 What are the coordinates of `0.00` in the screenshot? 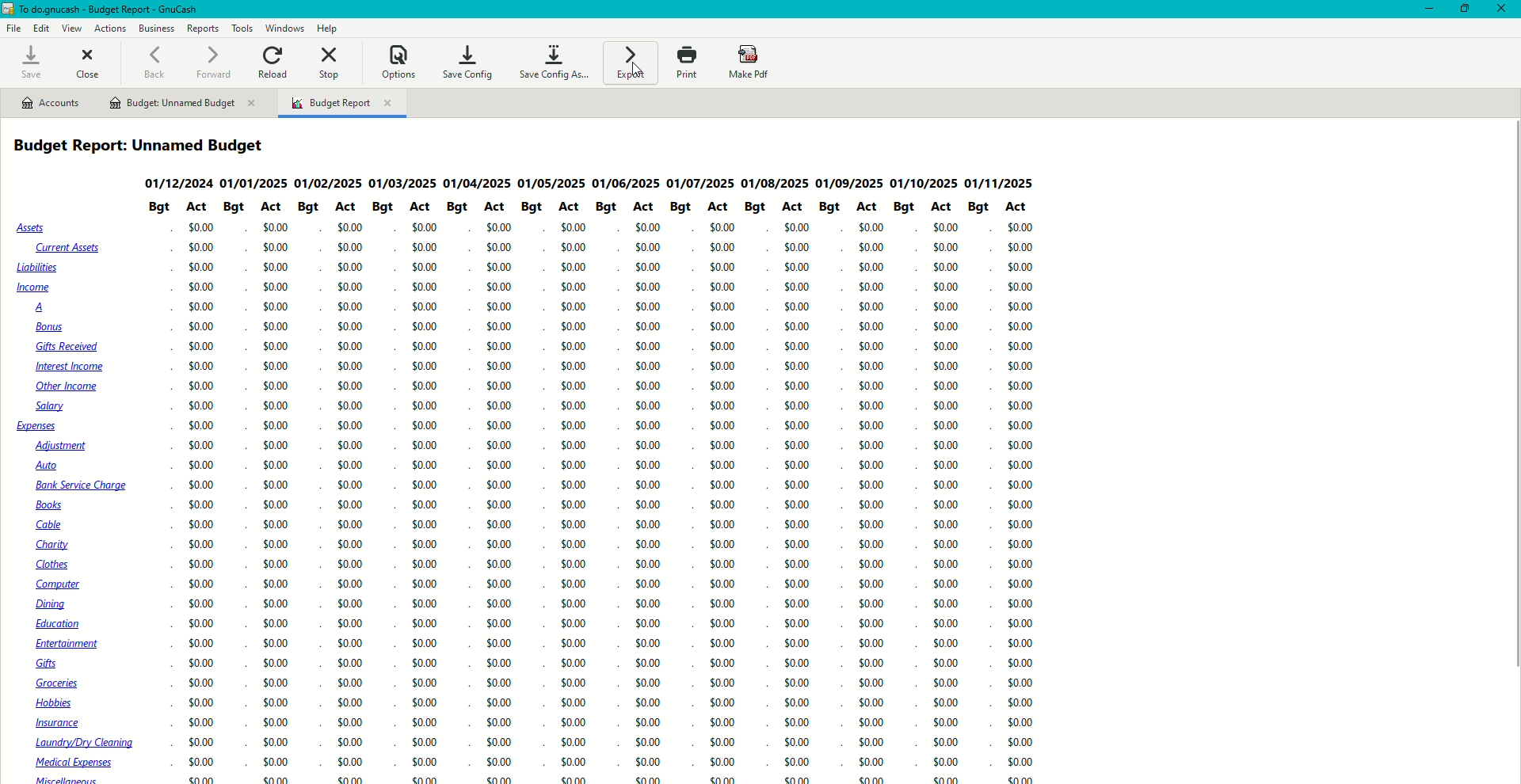 It's located at (204, 428).